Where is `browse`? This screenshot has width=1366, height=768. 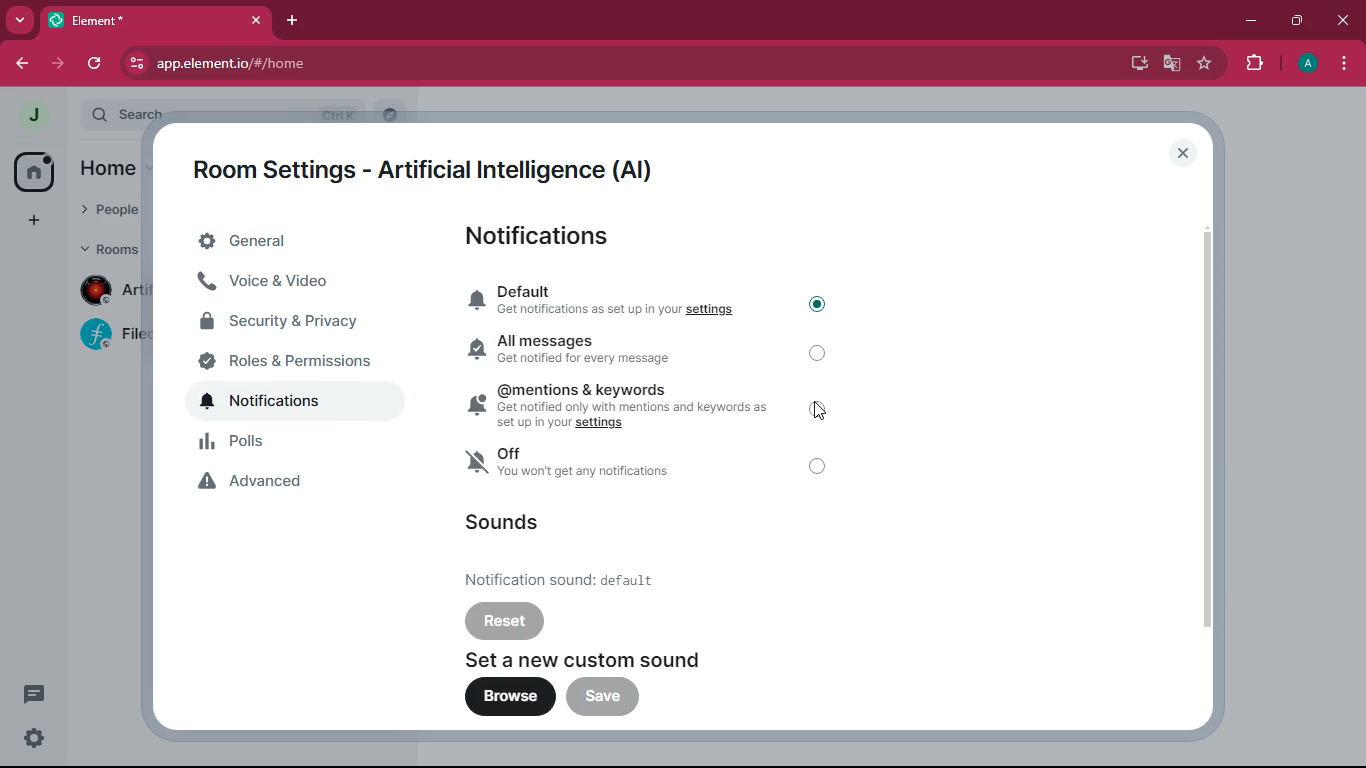 browse is located at coordinates (511, 698).